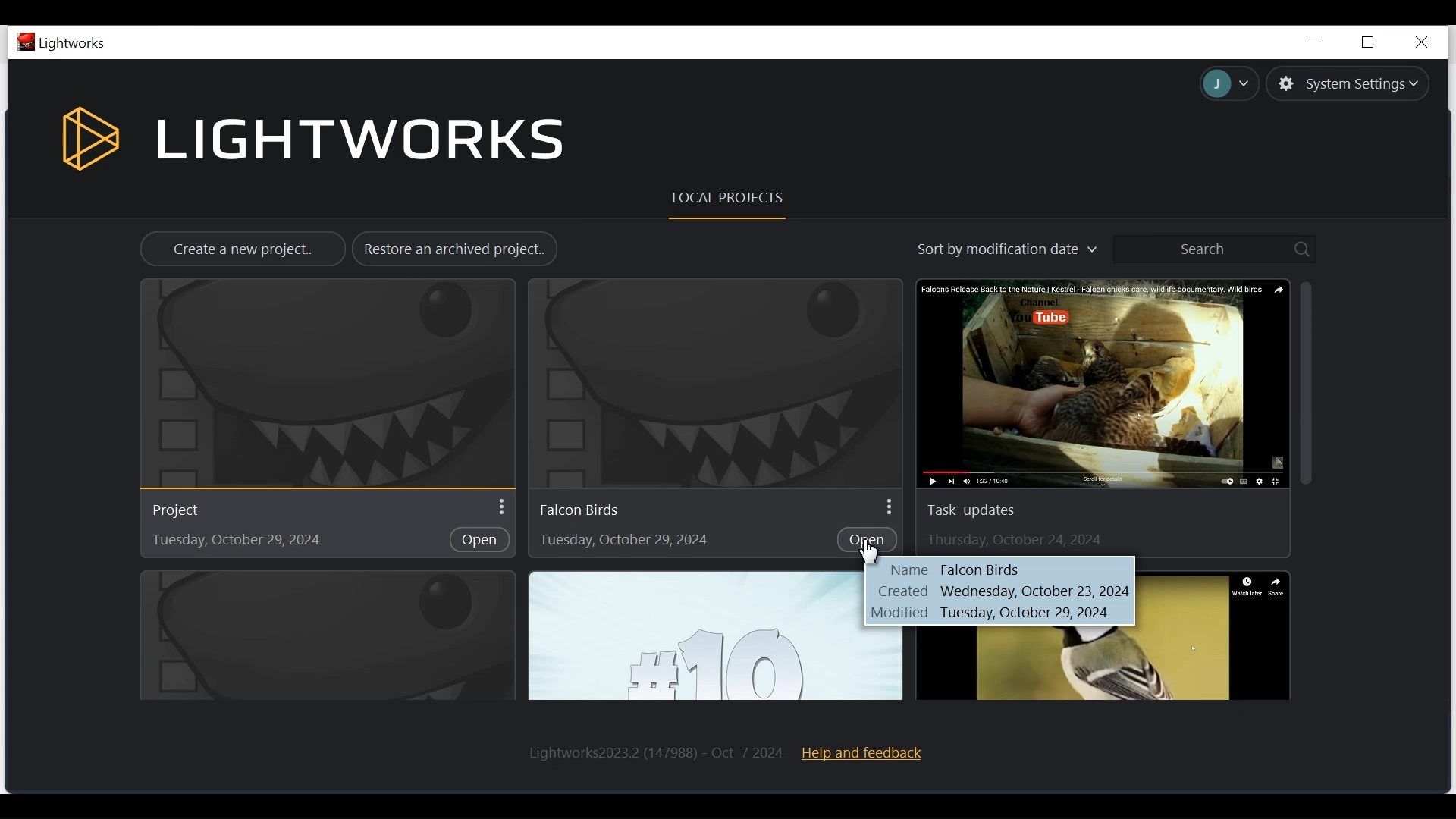  Describe the element at coordinates (457, 250) in the screenshot. I see `Restore an arhived project` at that location.